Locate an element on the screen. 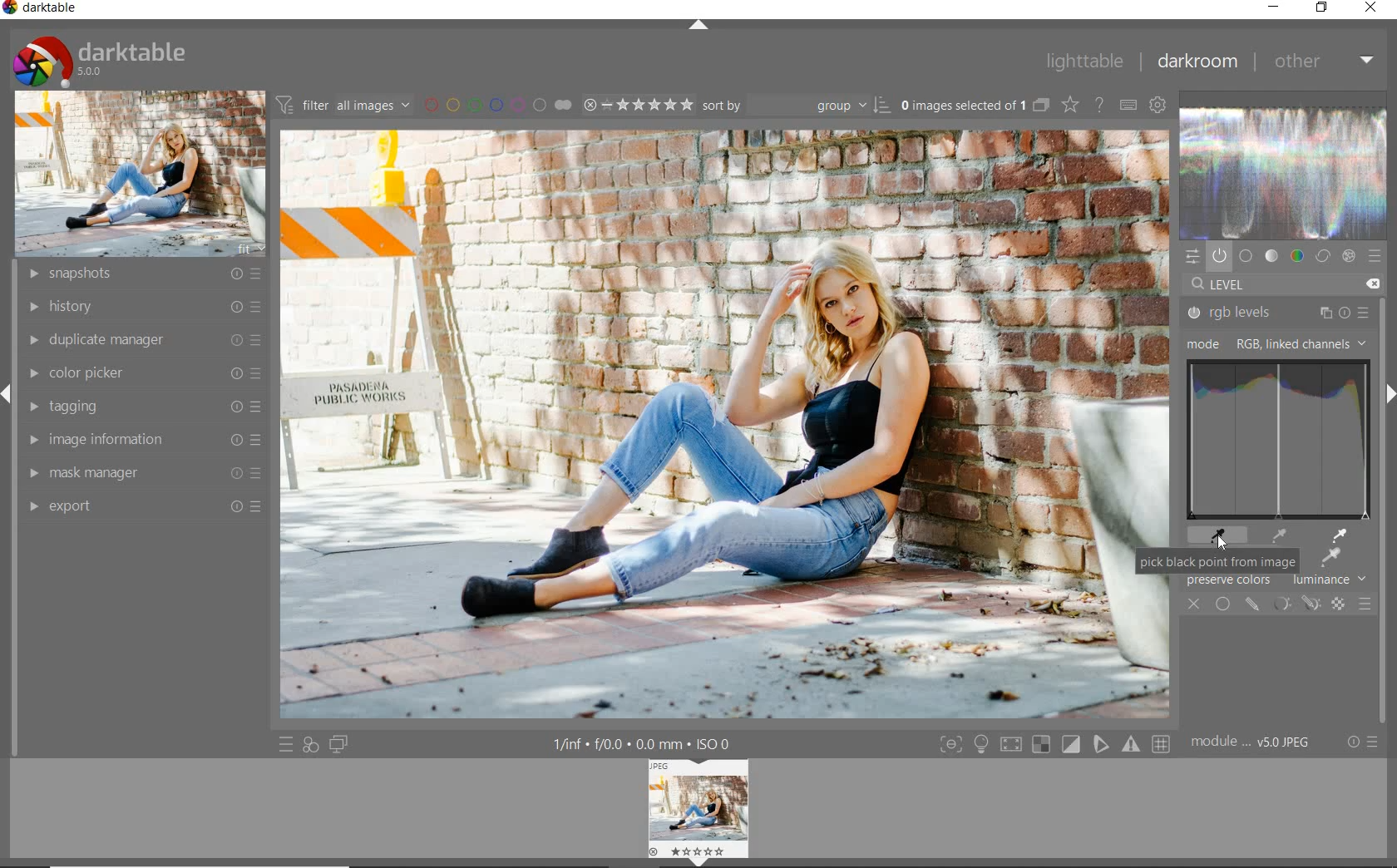 This screenshot has height=868, width=1397. reset or presets & preferences is located at coordinates (1365, 742).